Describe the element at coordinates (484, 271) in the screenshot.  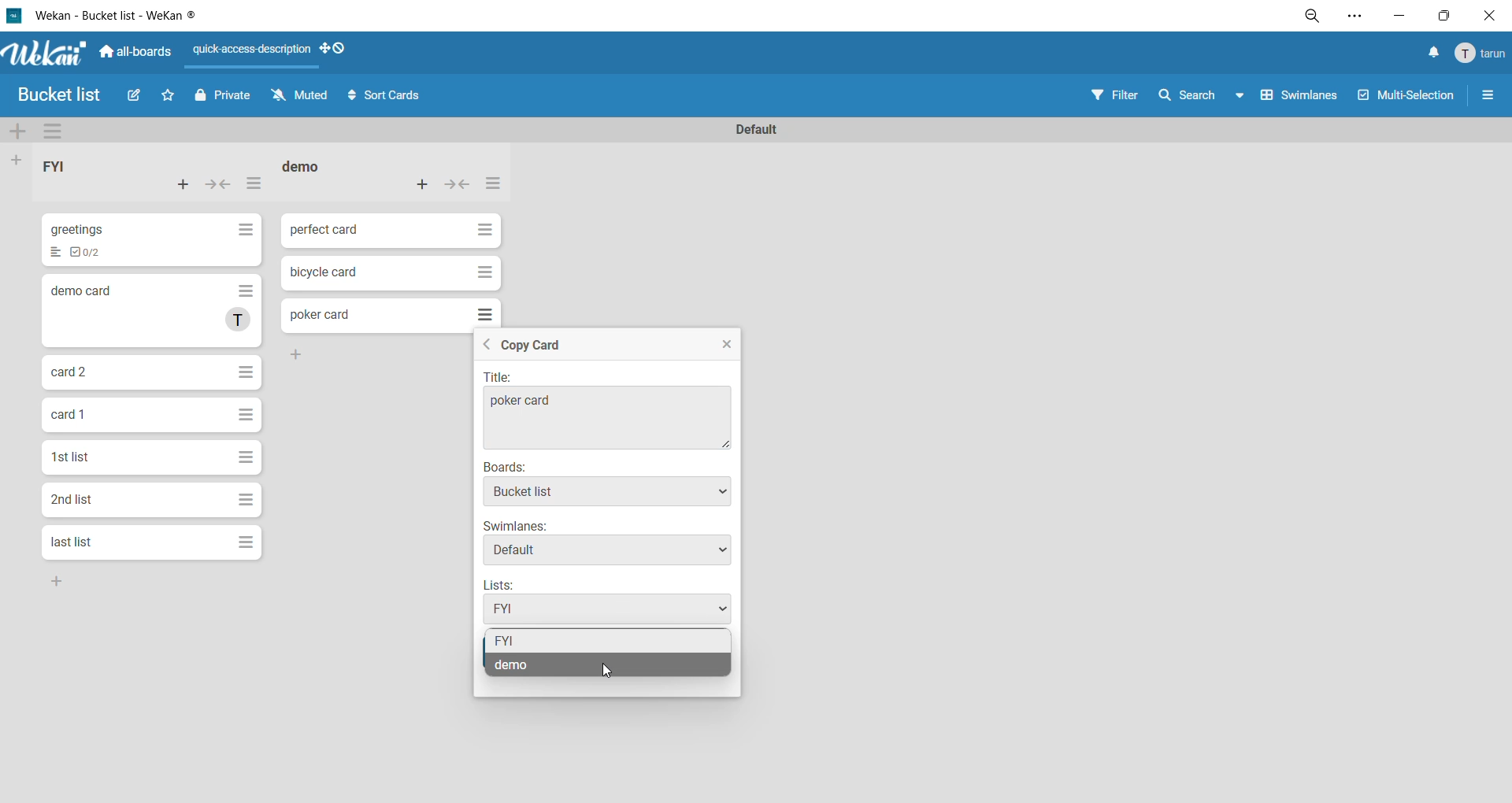
I see `Hamburger` at that location.